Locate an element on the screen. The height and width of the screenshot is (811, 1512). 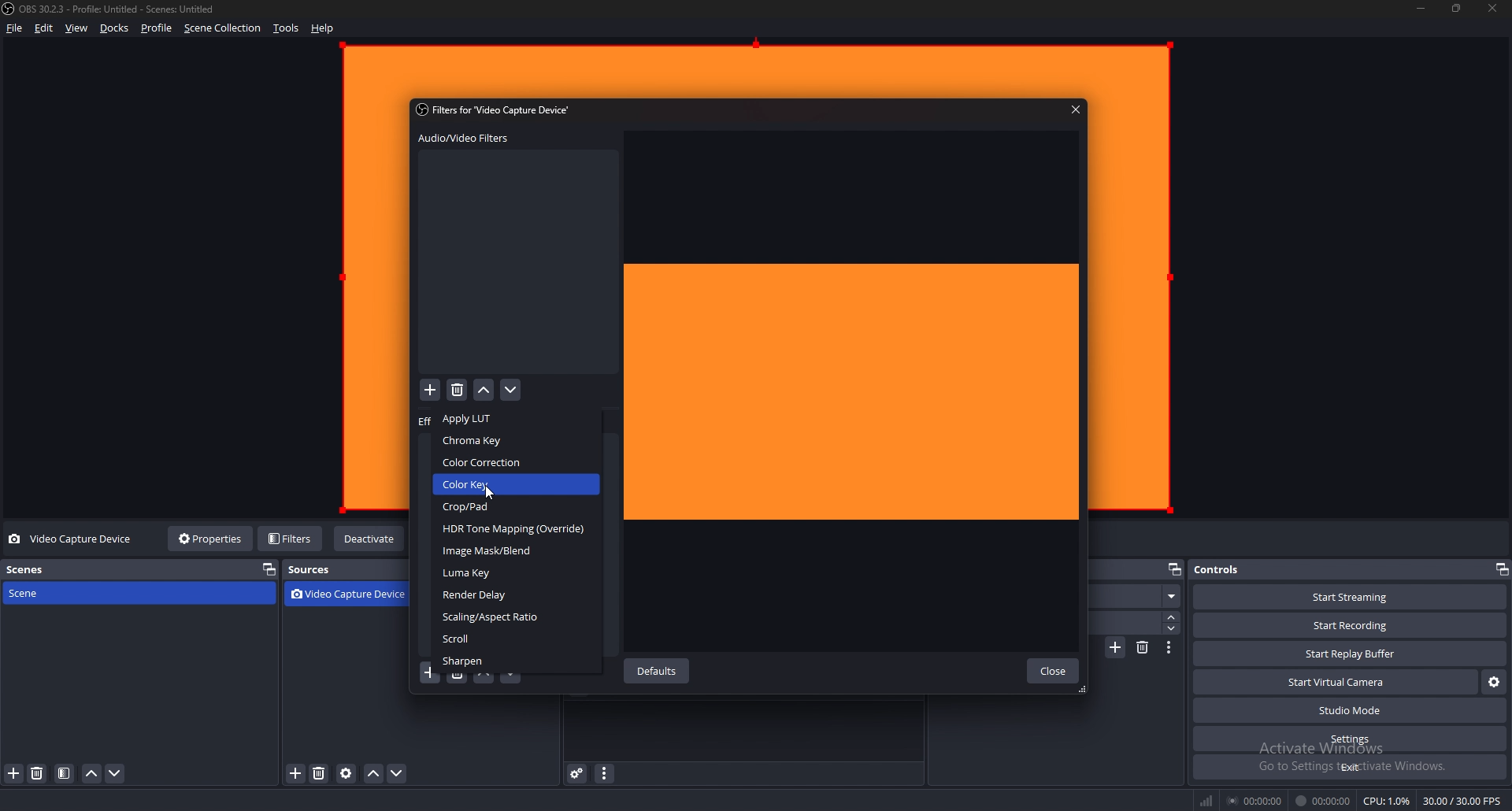
move source up is located at coordinates (373, 775).